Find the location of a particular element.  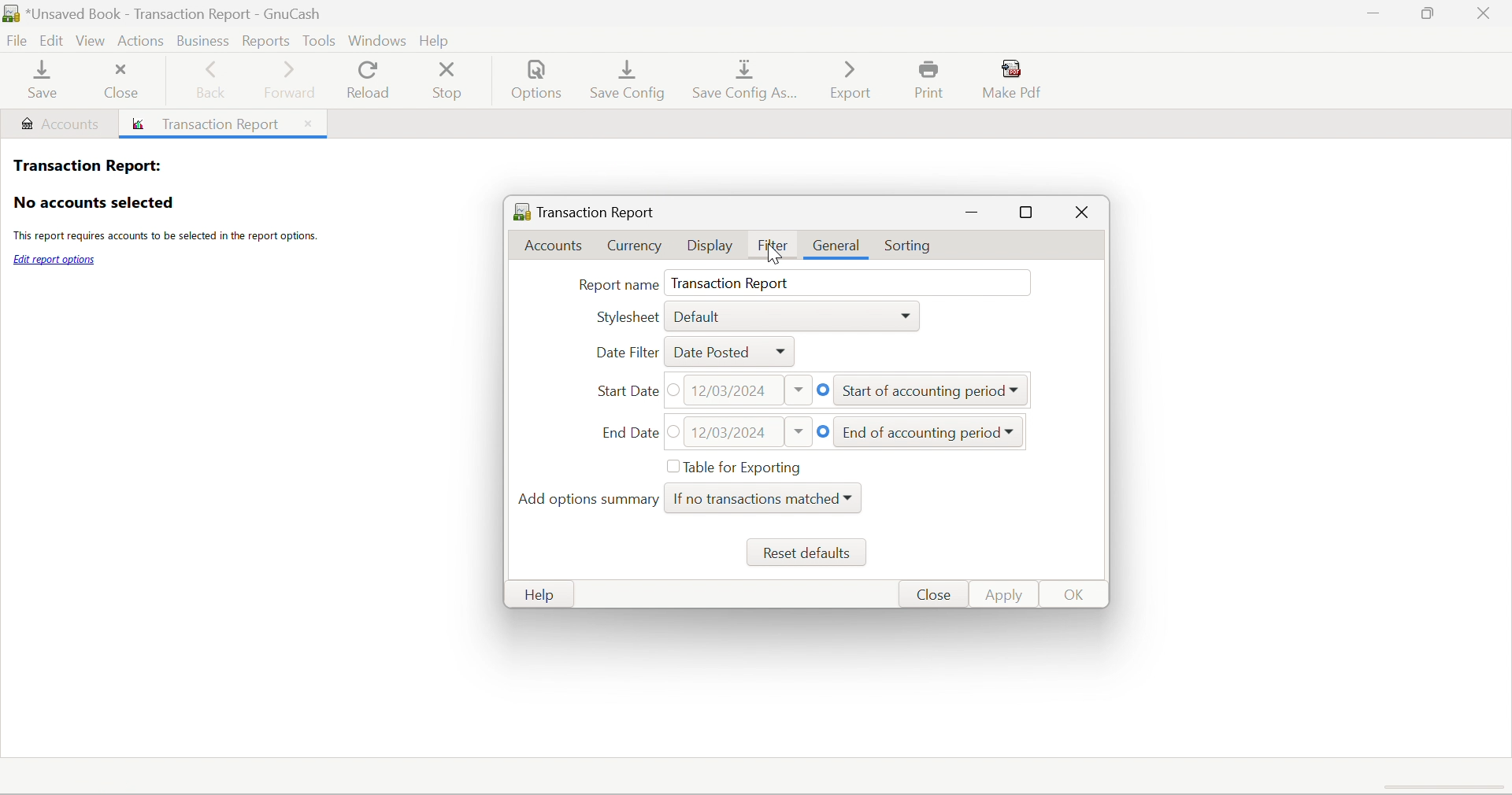

Actions is located at coordinates (141, 39).